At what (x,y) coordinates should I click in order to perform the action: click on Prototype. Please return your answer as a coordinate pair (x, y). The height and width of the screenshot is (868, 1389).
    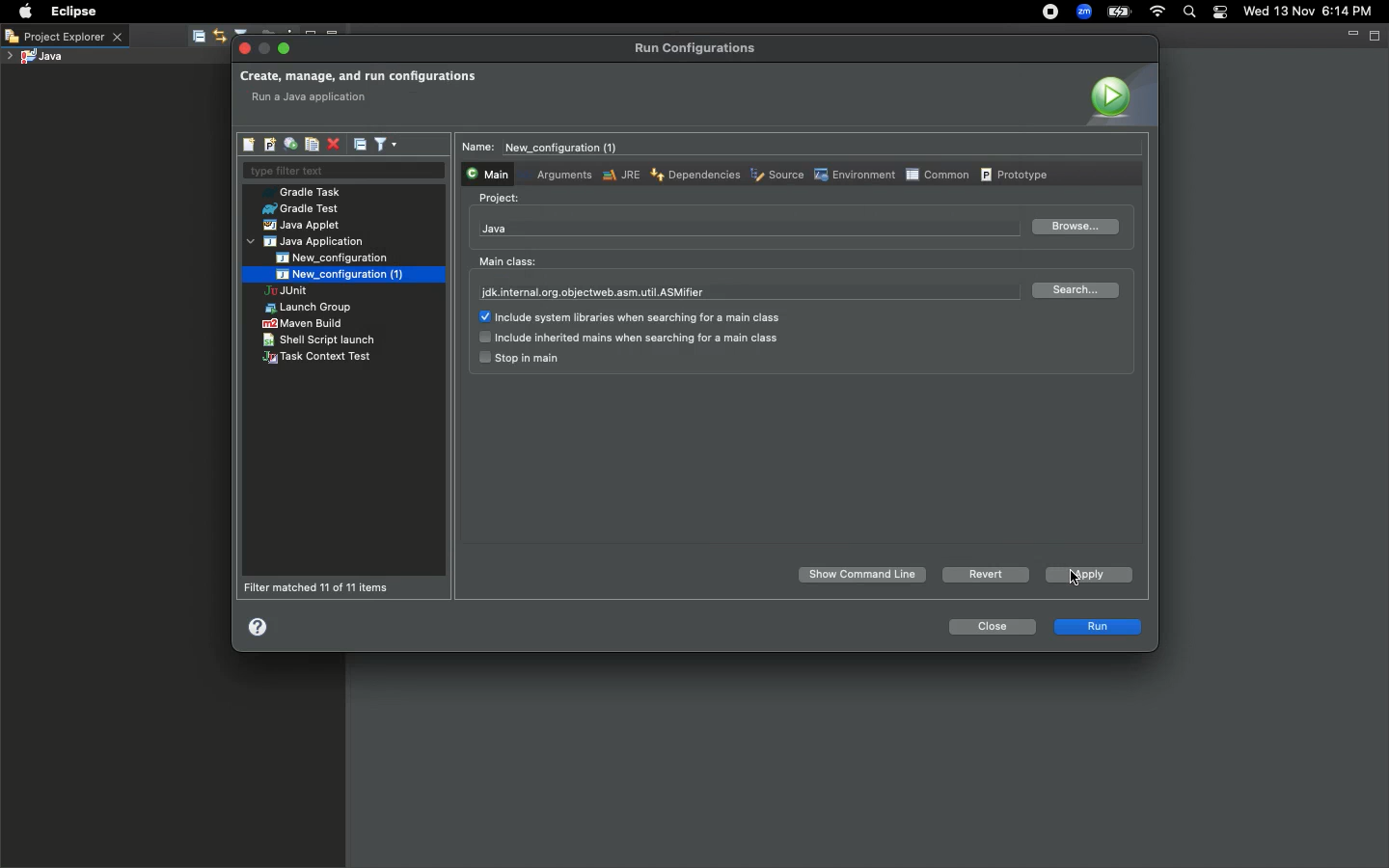
    Looking at the image, I should click on (1017, 174).